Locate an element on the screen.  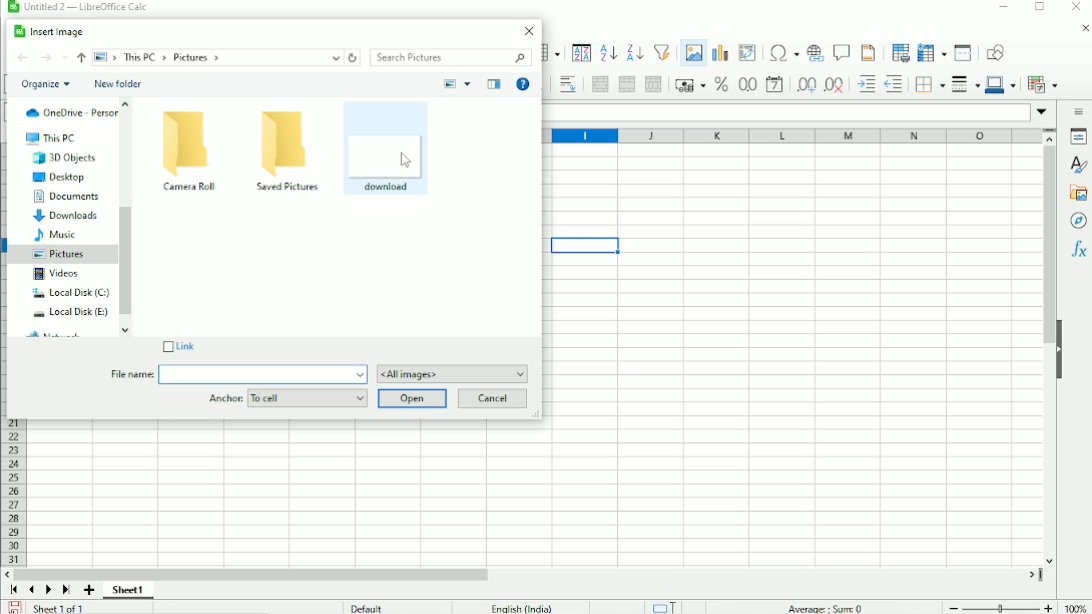
diamond is located at coordinates (368, 147).